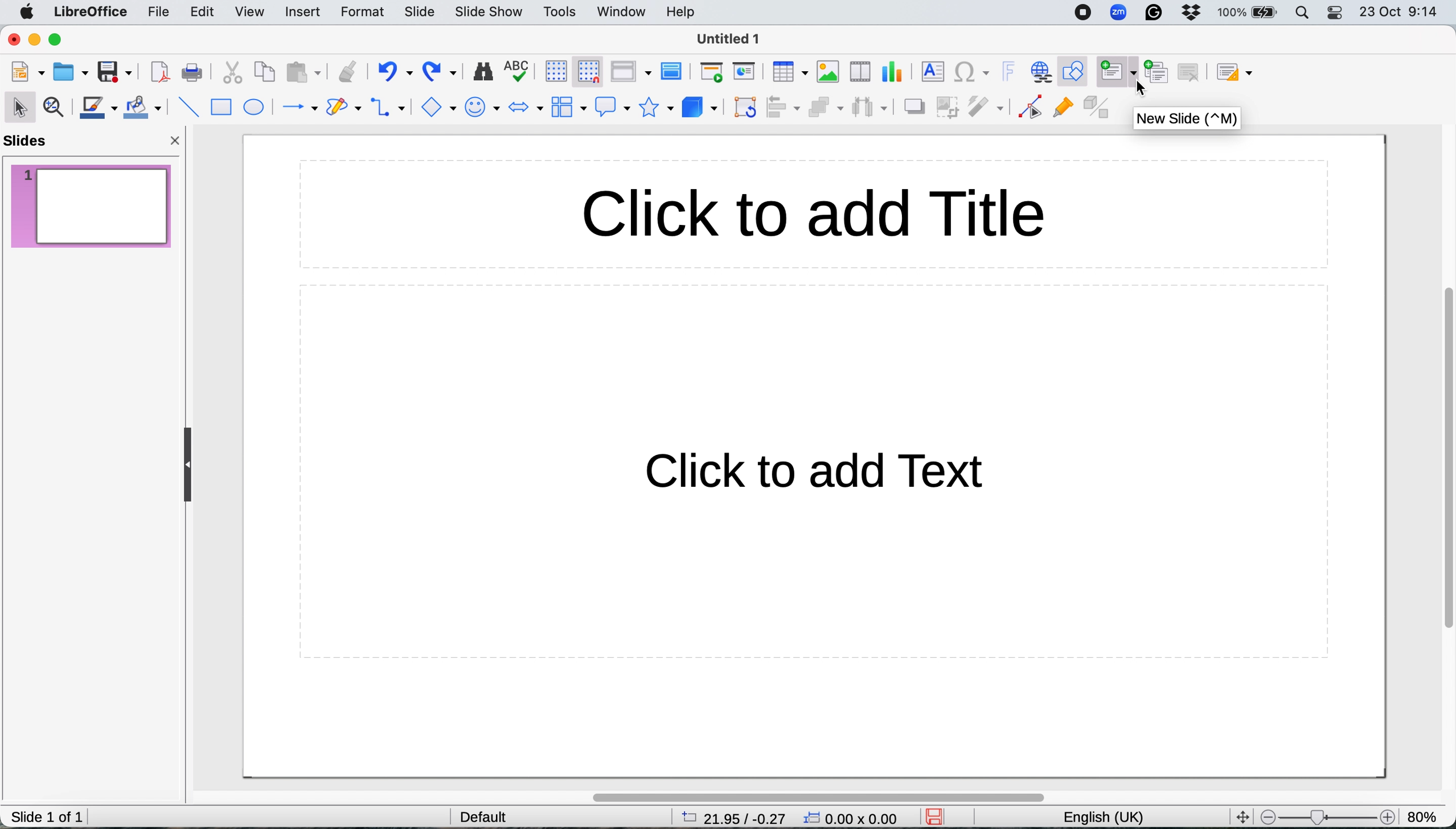 The width and height of the screenshot is (1456, 829). Describe the element at coordinates (1249, 14) in the screenshot. I see `battery` at that location.